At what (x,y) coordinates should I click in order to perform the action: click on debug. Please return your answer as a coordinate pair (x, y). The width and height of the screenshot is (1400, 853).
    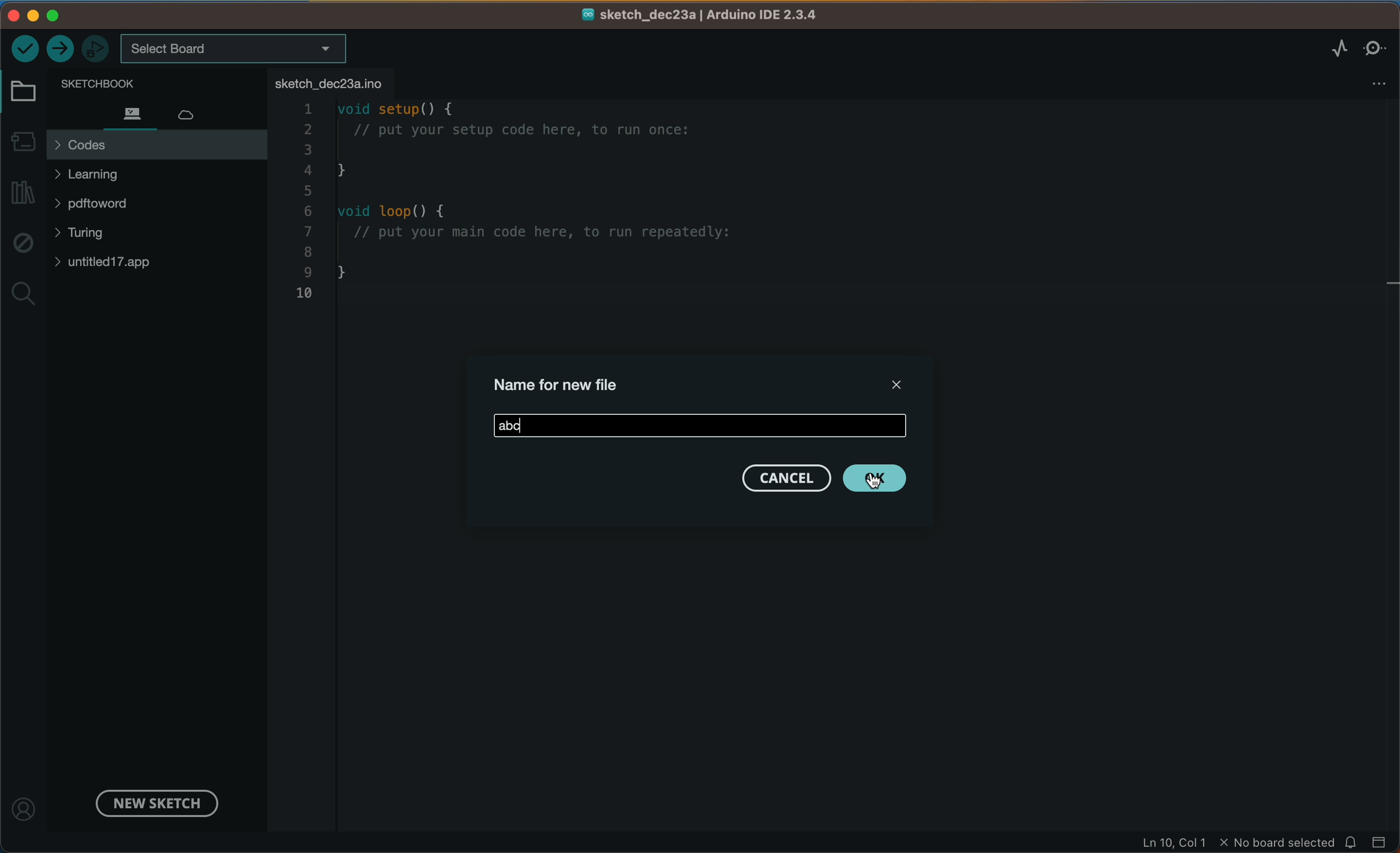
    Looking at the image, I should click on (22, 244).